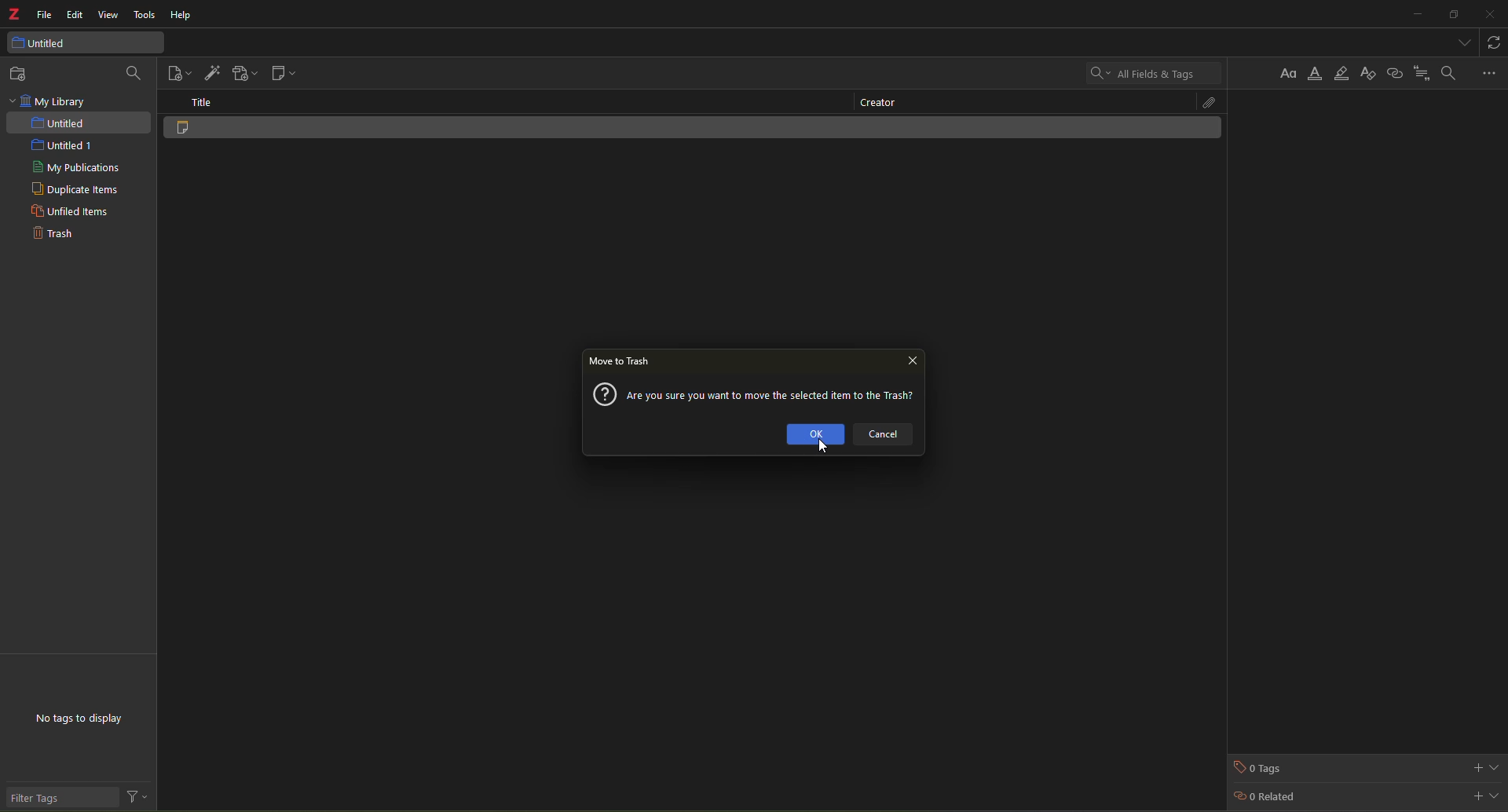 The width and height of the screenshot is (1508, 812). Describe the element at coordinates (774, 393) in the screenshot. I see `Are you sure you want to move the selected item to the Trash?` at that location.